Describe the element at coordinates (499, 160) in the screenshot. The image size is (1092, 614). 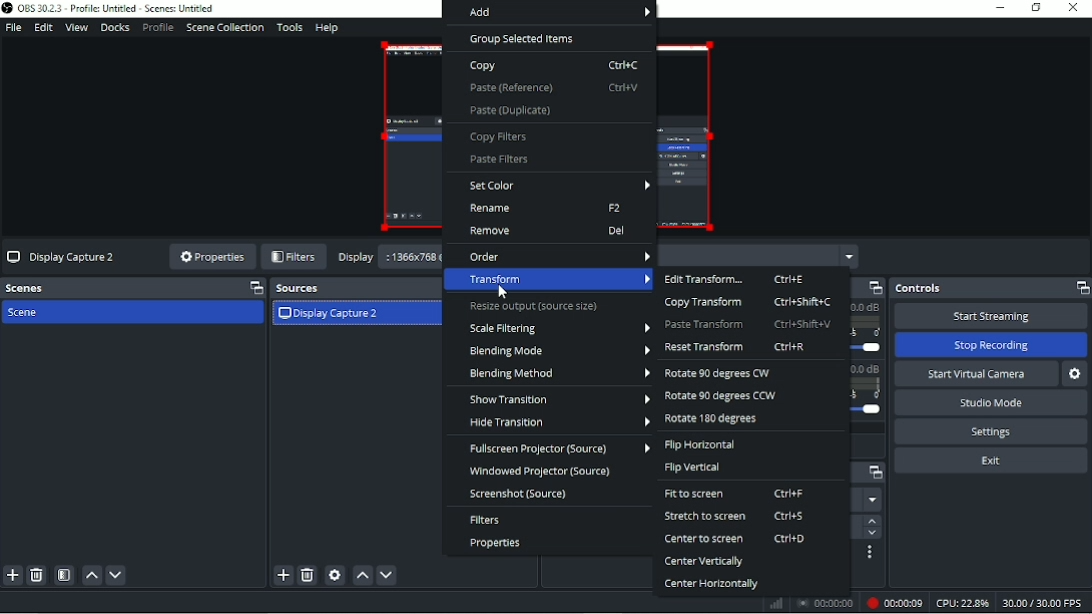
I see `Paste filters` at that location.